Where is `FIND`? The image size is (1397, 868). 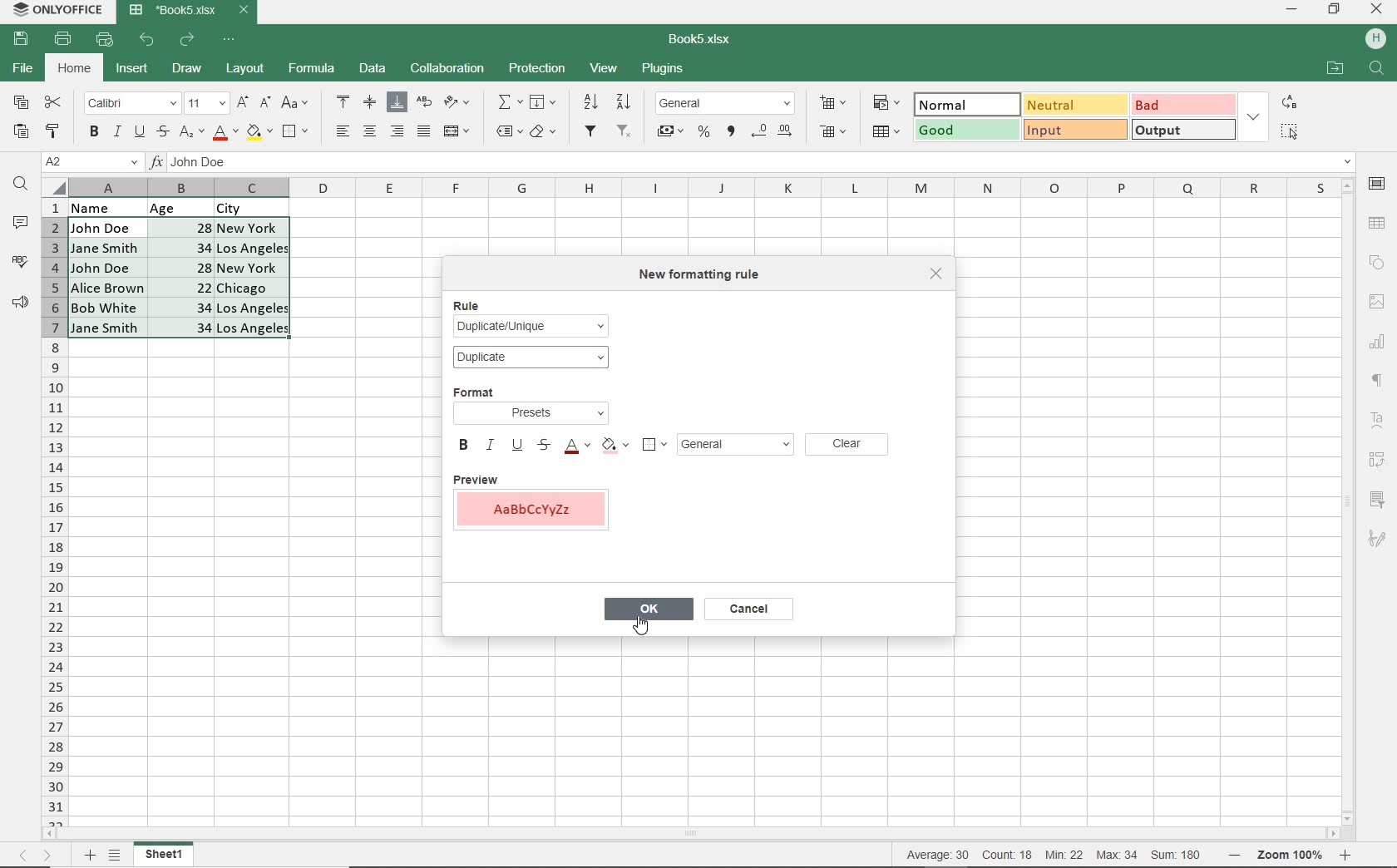
FIND is located at coordinates (21, 185).